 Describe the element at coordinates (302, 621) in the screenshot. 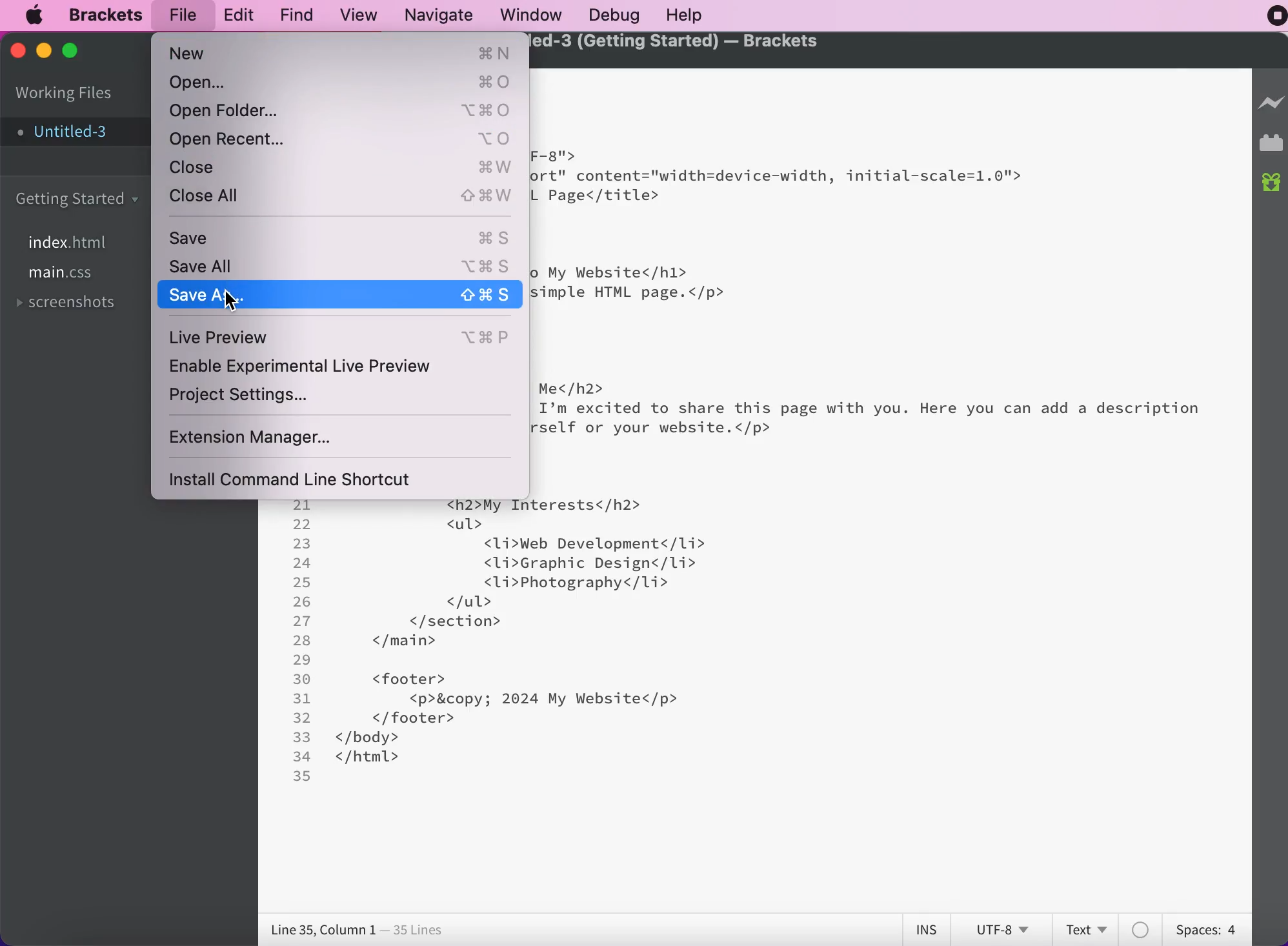

I see `27` at that location.